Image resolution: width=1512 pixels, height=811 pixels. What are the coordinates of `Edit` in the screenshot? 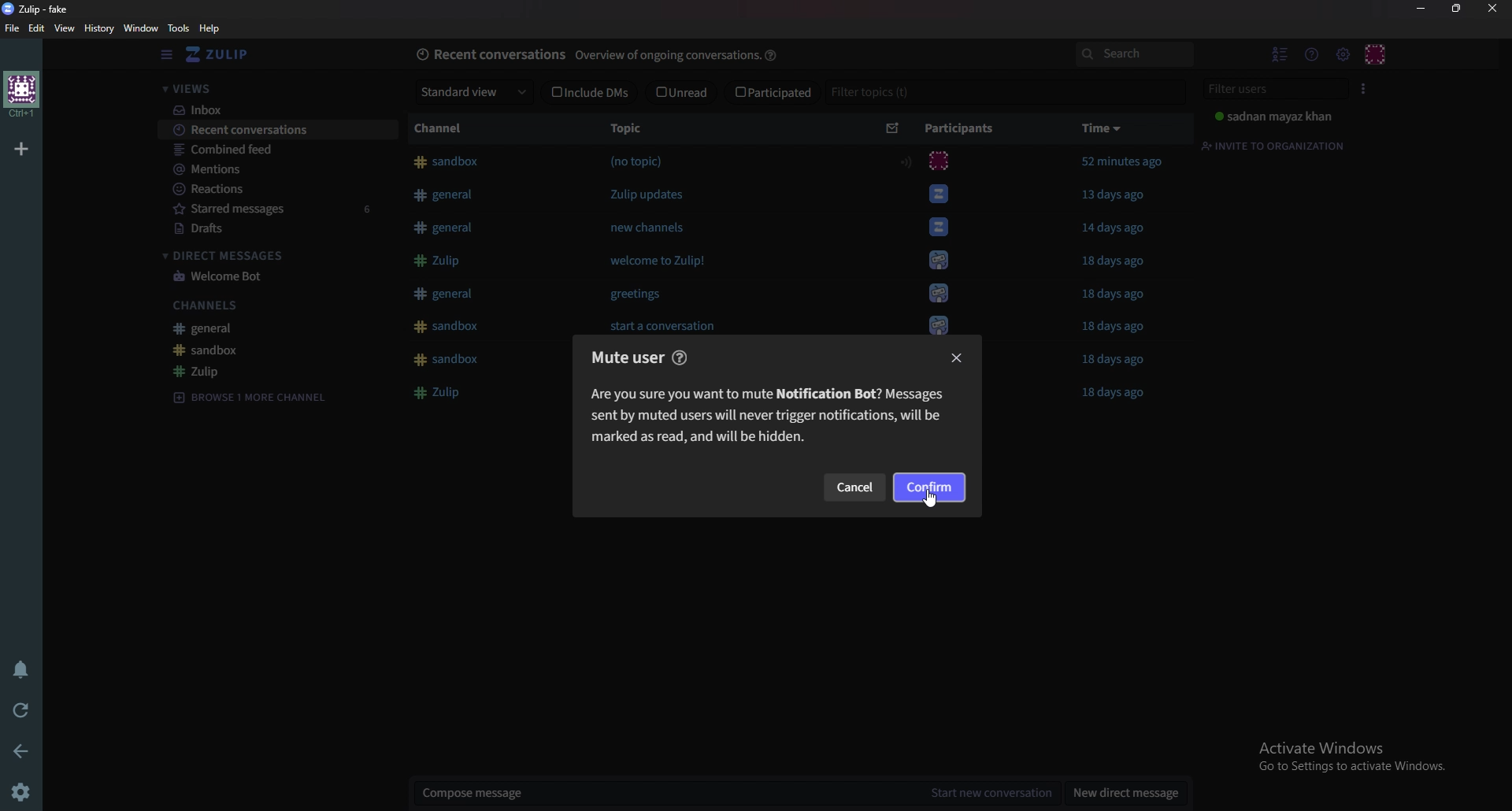 It's located at (38, 29).